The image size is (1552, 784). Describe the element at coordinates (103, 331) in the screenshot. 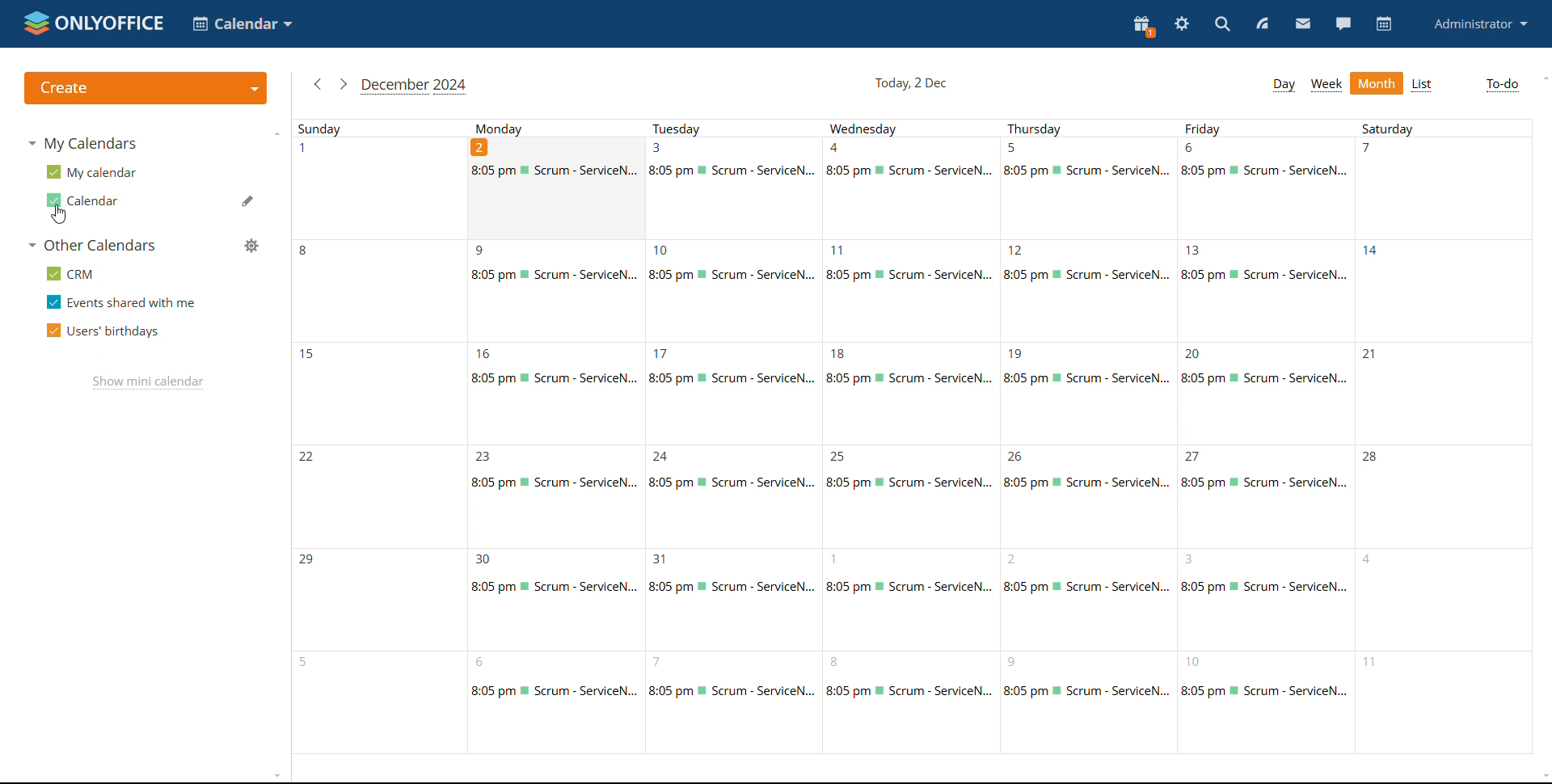

I see `users' birthdays` at that location.